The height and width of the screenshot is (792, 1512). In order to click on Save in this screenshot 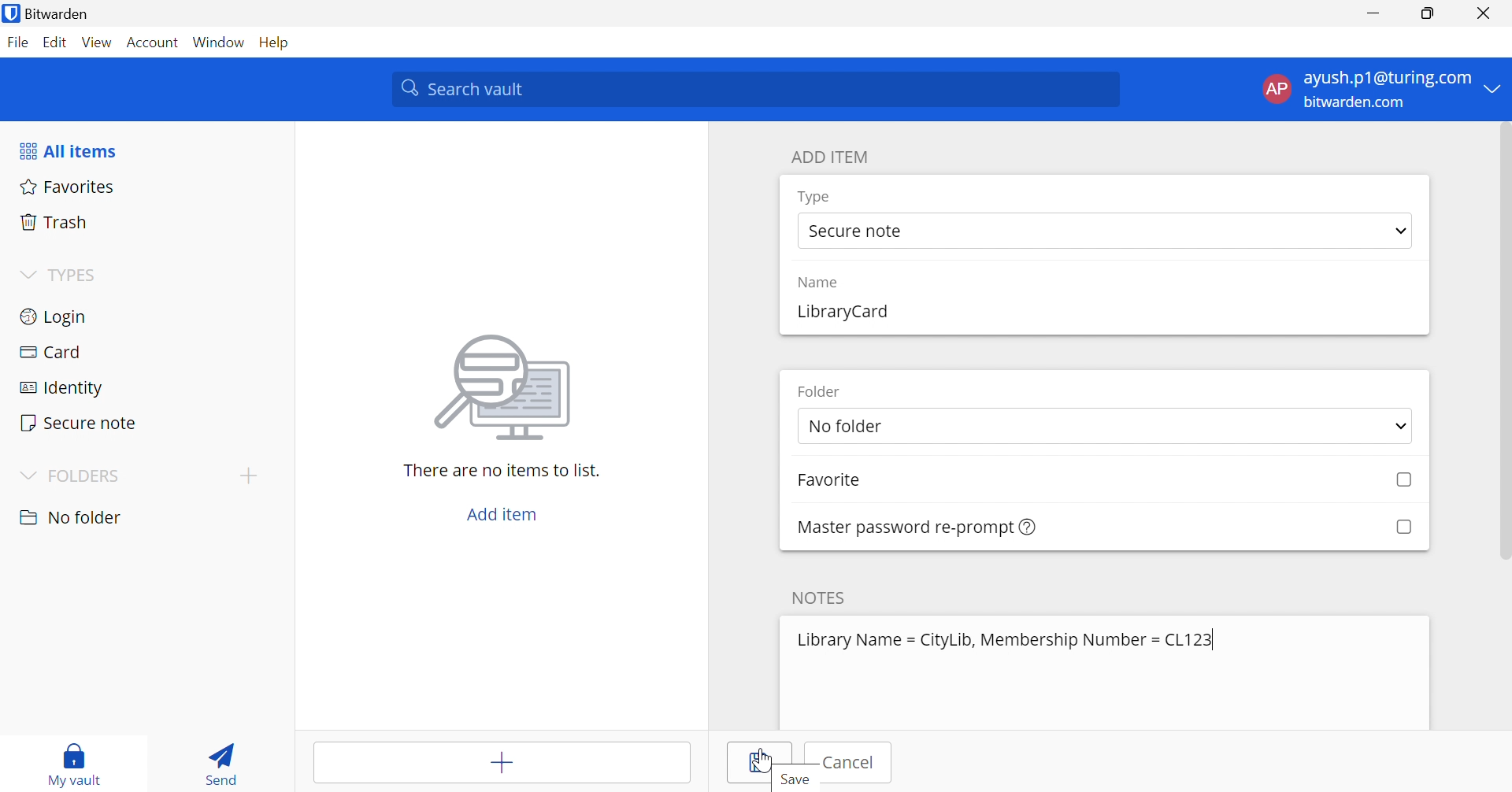, I will do `click(758, 762)`.